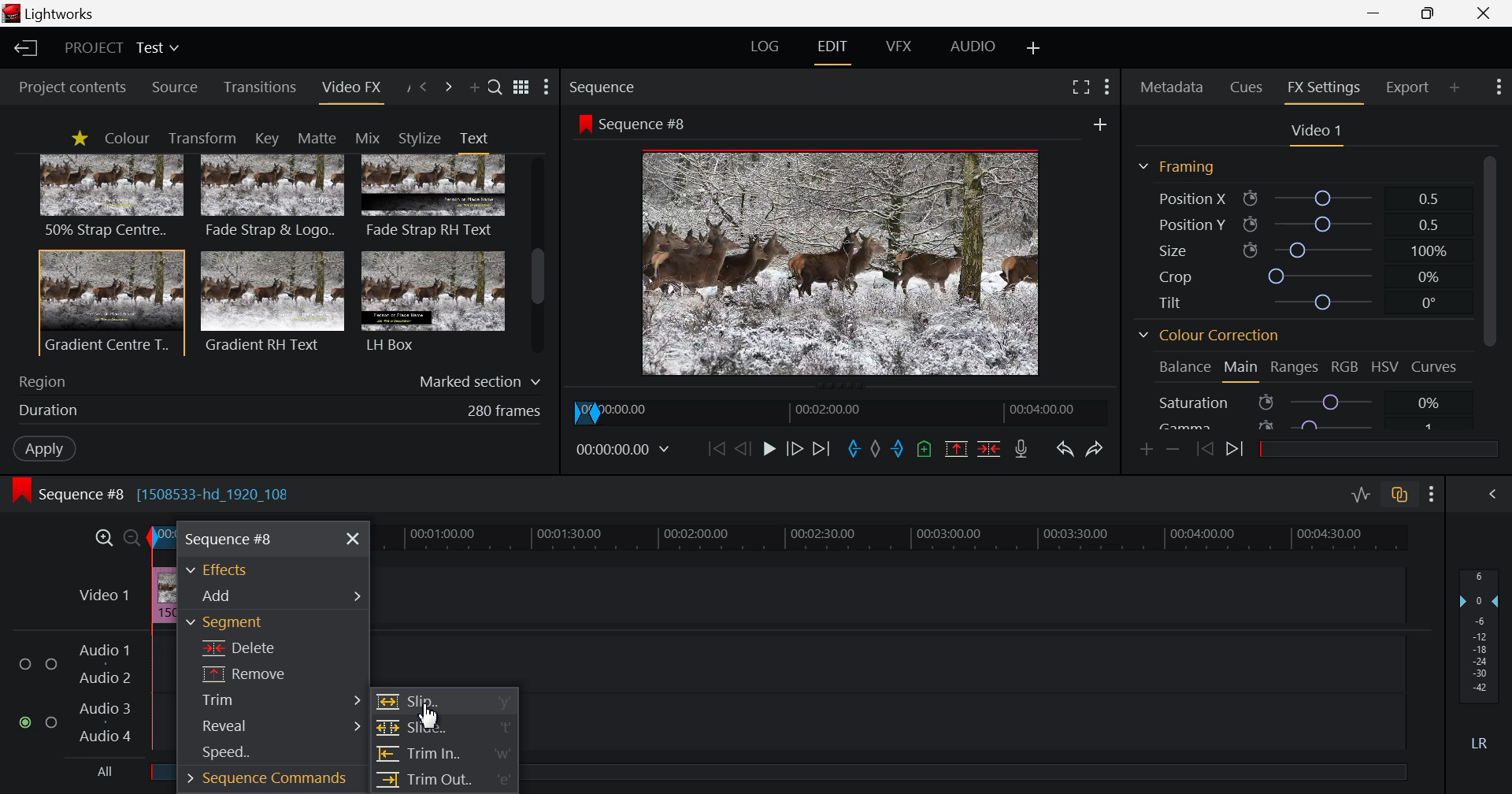 The image size is (1512, 794). I want to click on Delete, so click(273, 646).